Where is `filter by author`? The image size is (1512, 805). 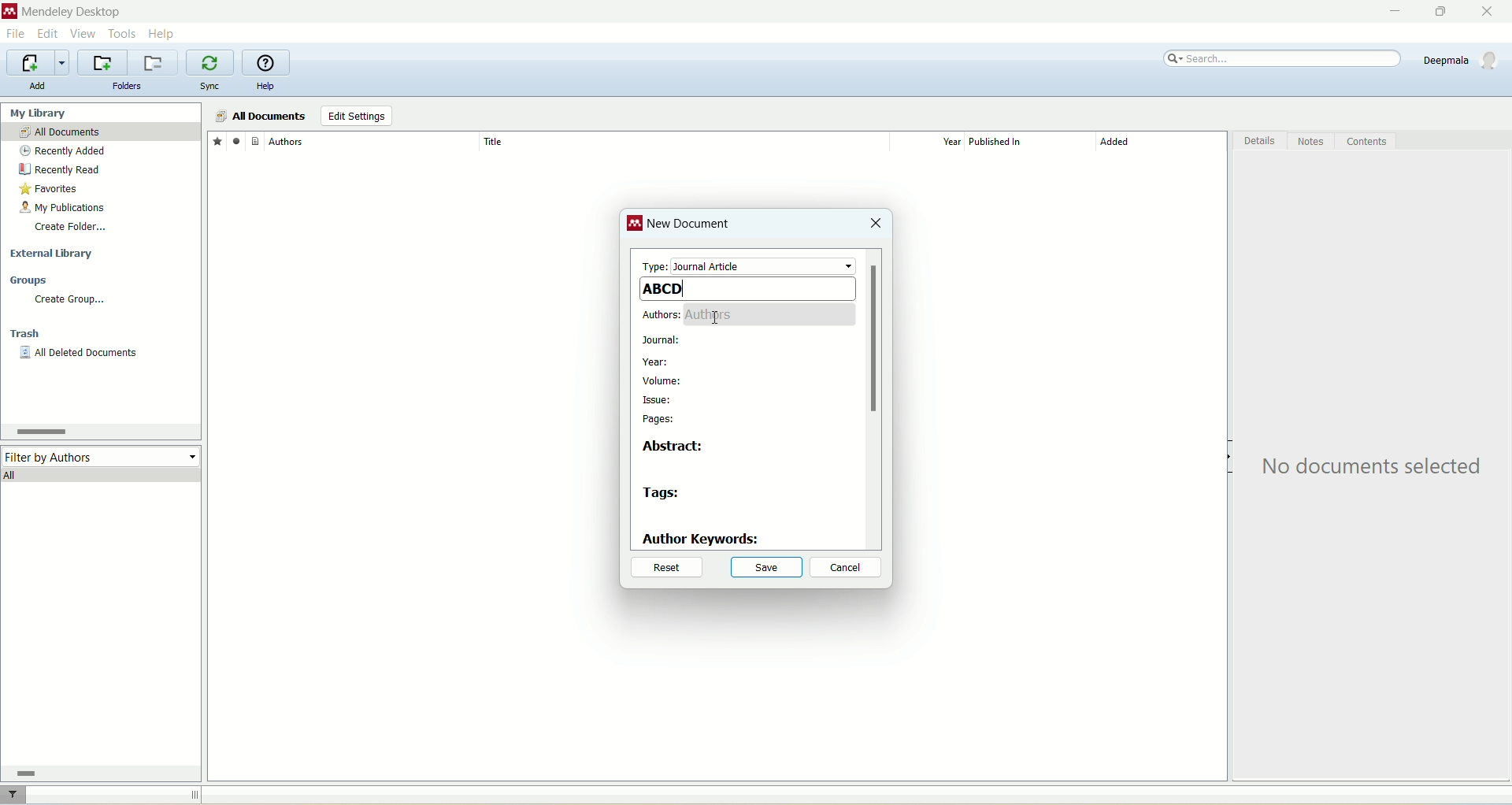 filter by author is located at coordinates (102, 455).